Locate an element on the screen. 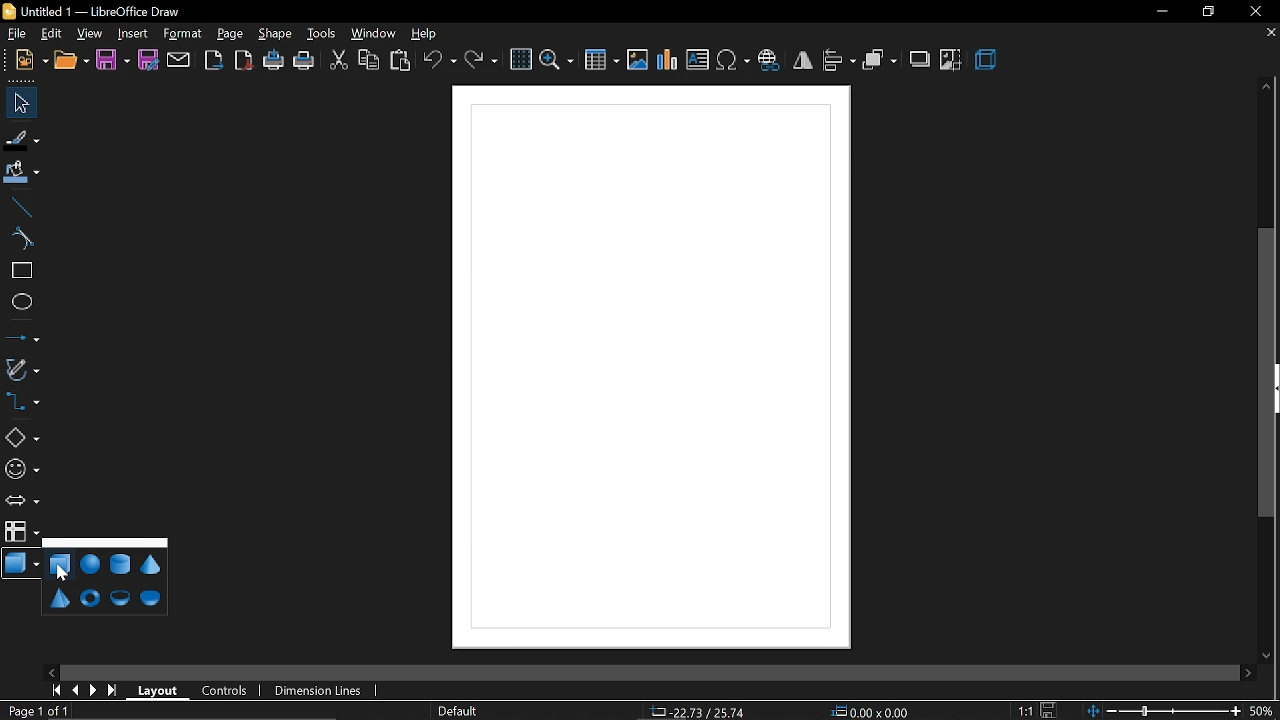 This screenshot has width=1280, height=720. icon is located at coordinates (8, 11).